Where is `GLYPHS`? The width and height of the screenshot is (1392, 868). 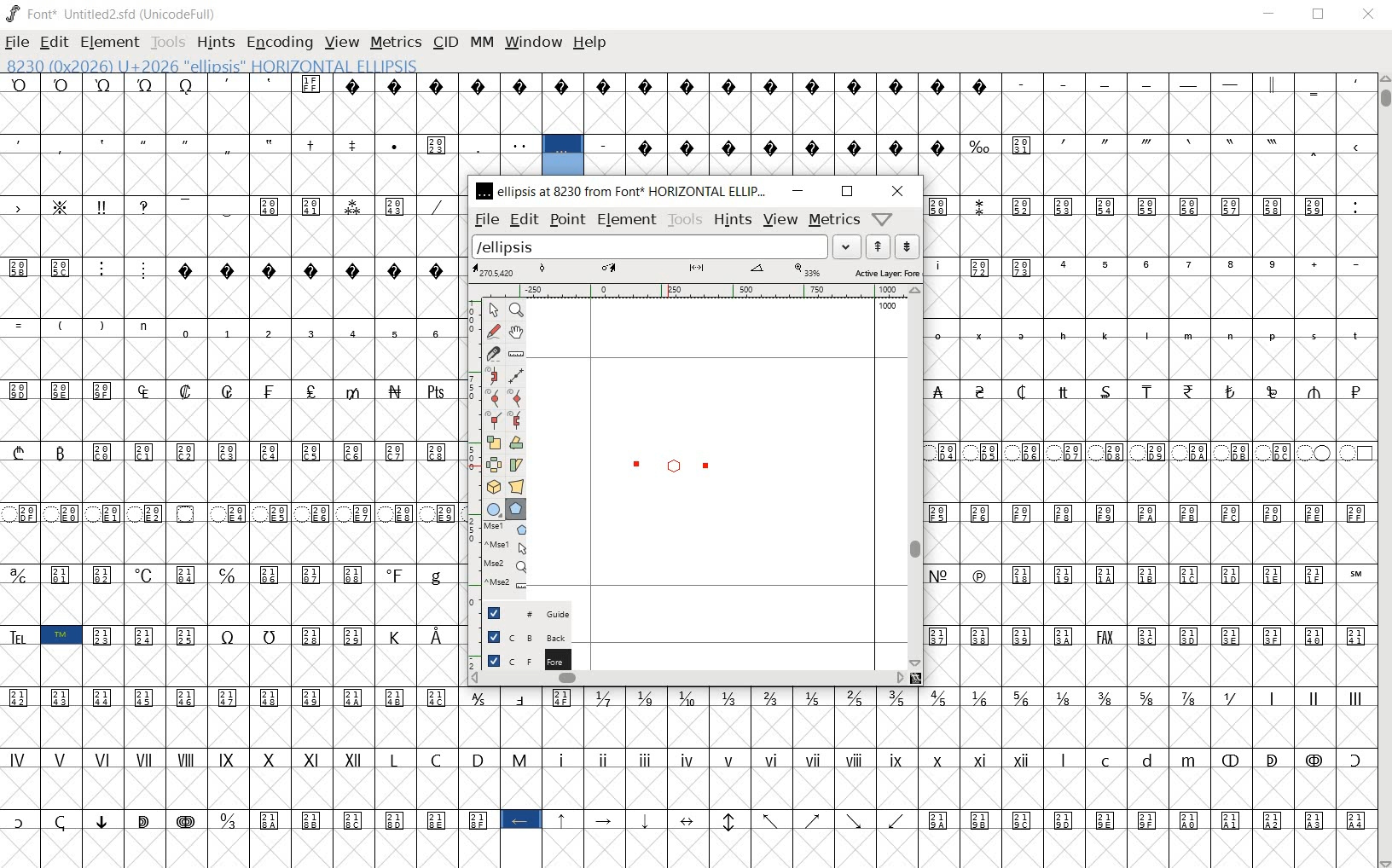
GLYPHS is located at coordinates (225, 464).